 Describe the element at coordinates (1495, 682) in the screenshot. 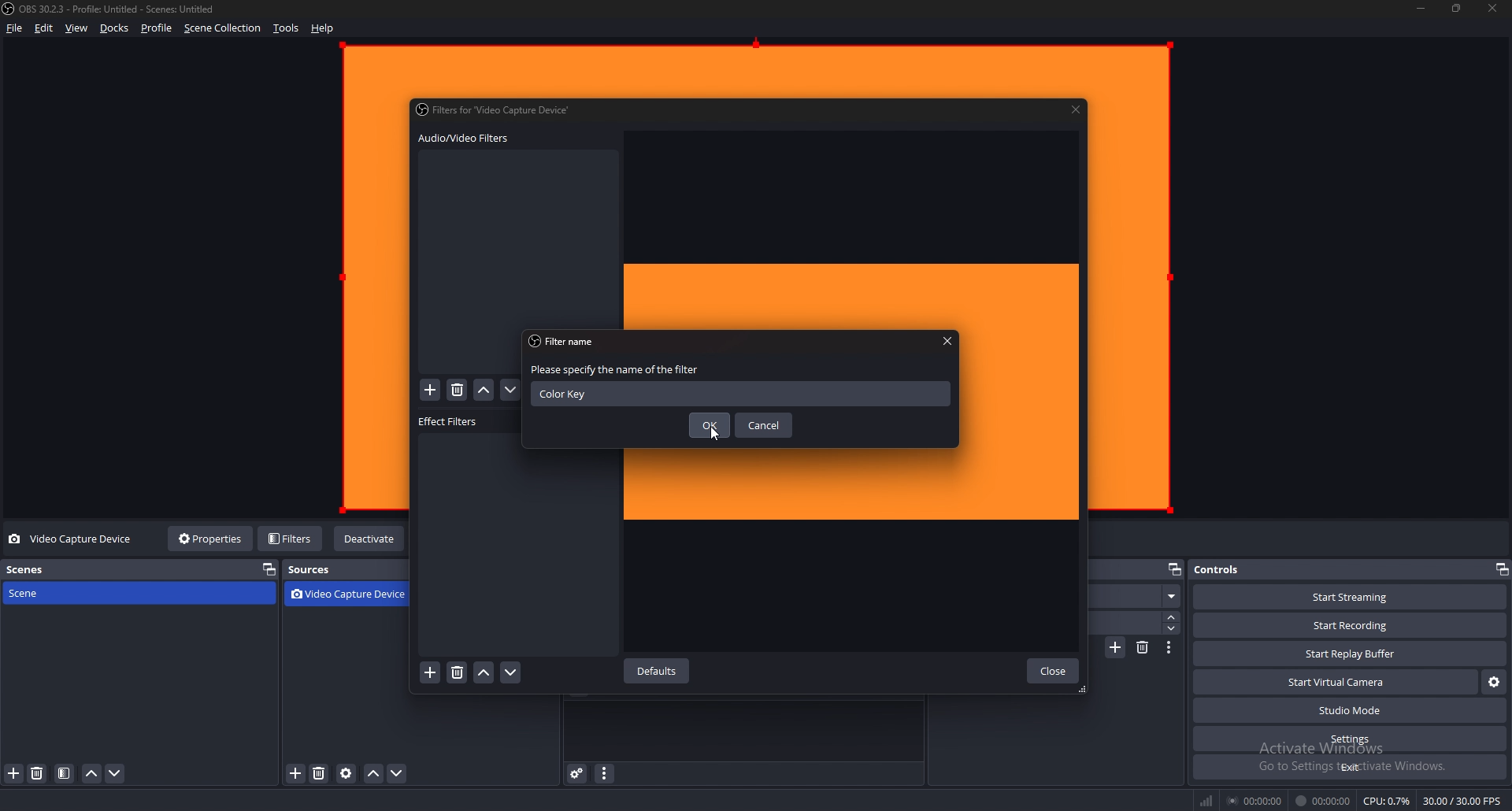

I see `virtual camera properties` at that location.